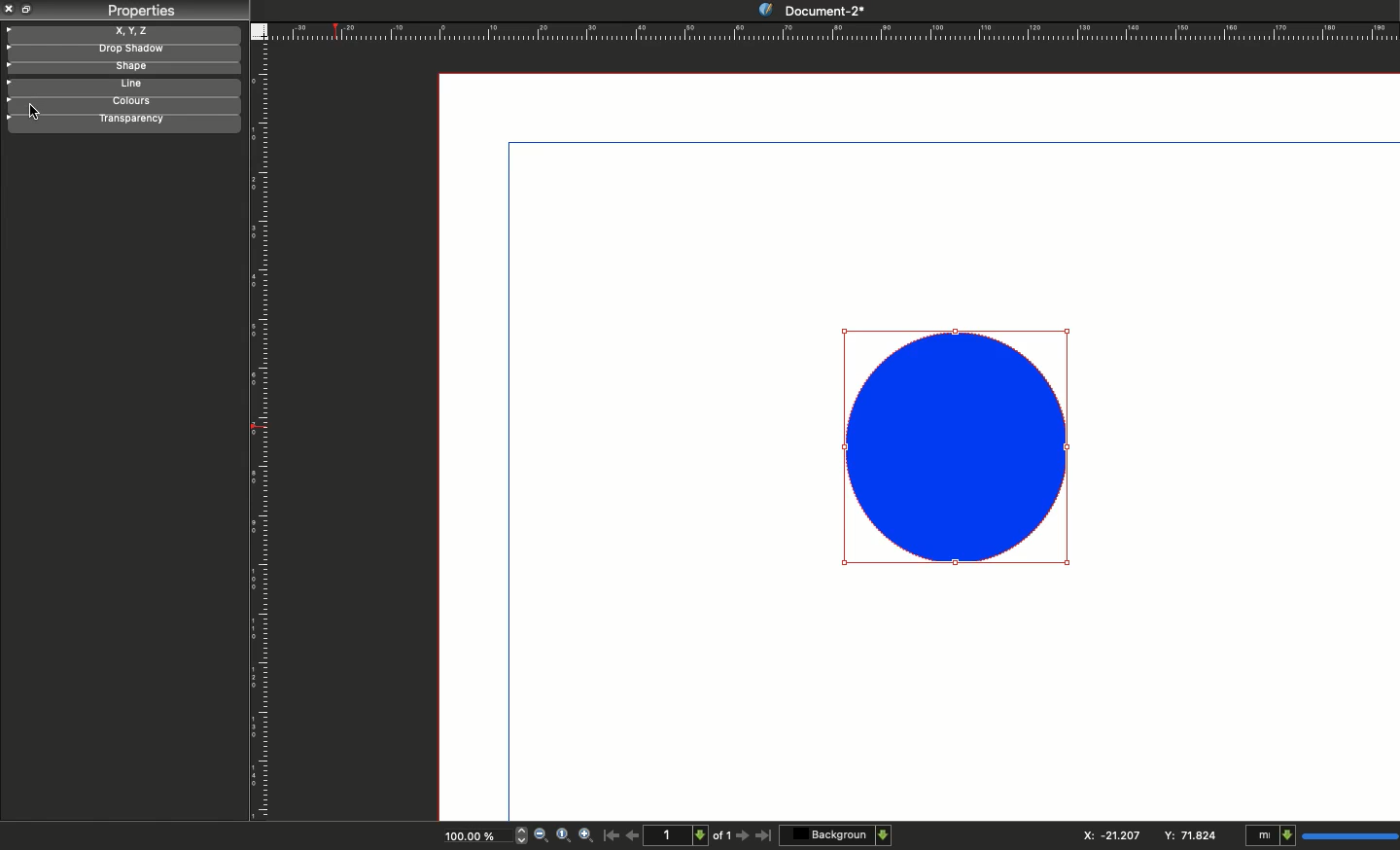 The image size is (1400, 850). I want to click on First page, so click(612, 834).